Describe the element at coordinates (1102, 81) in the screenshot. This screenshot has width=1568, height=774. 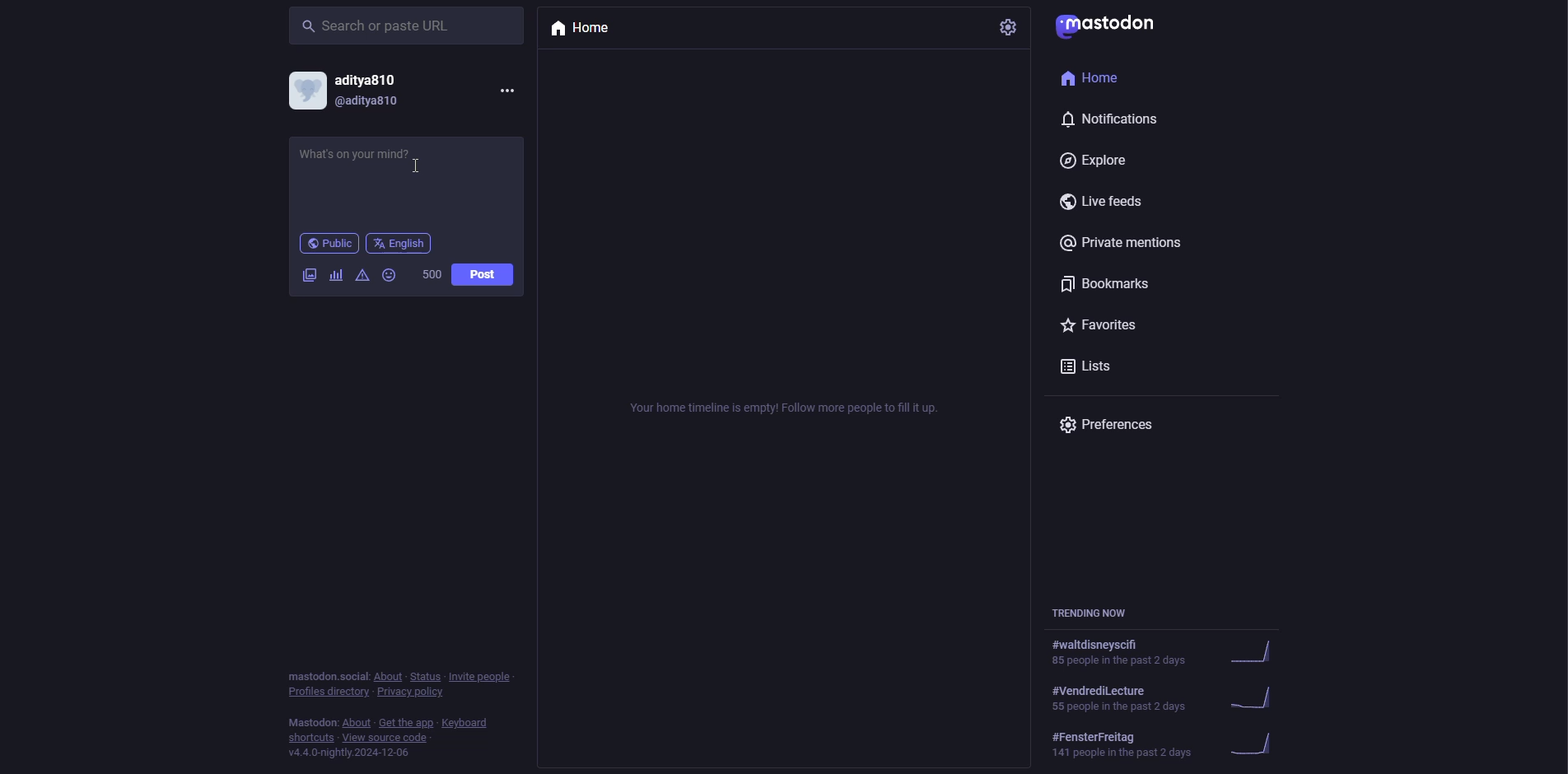
I see `home` at that location.